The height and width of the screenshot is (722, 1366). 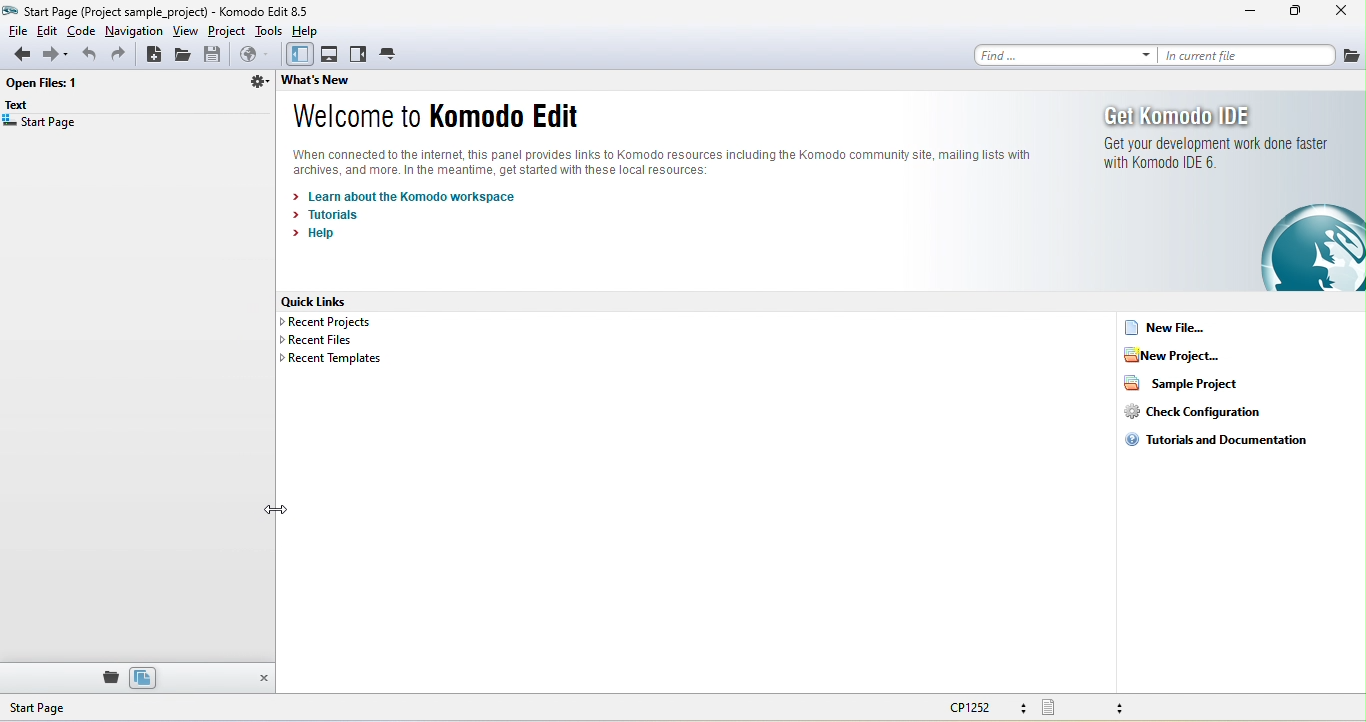 What do you see at coordinates (331, 55) in the screenshot?
I see `bottom pane` at bounding box center [331, 55].